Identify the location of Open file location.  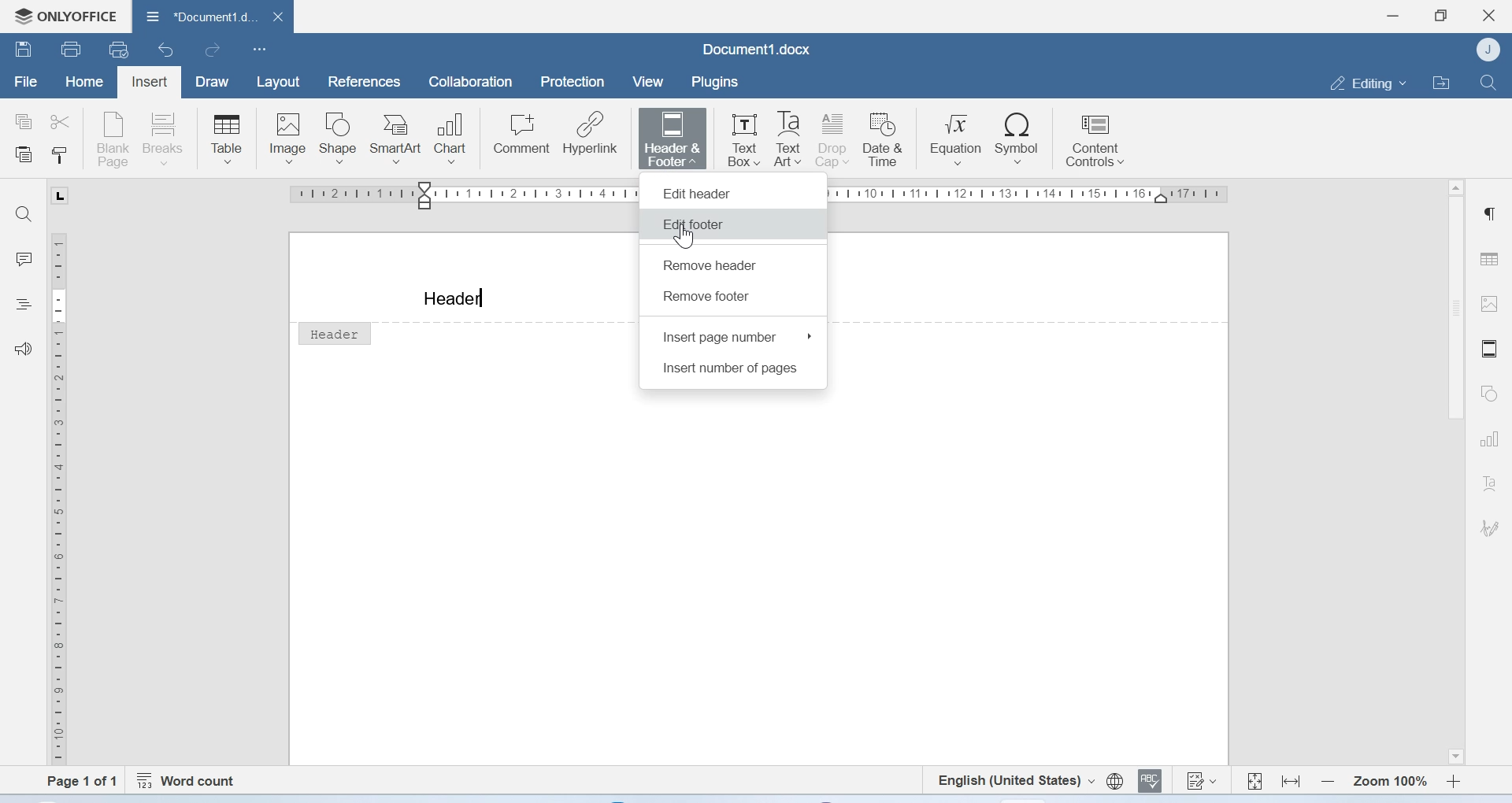
(1440, 81).